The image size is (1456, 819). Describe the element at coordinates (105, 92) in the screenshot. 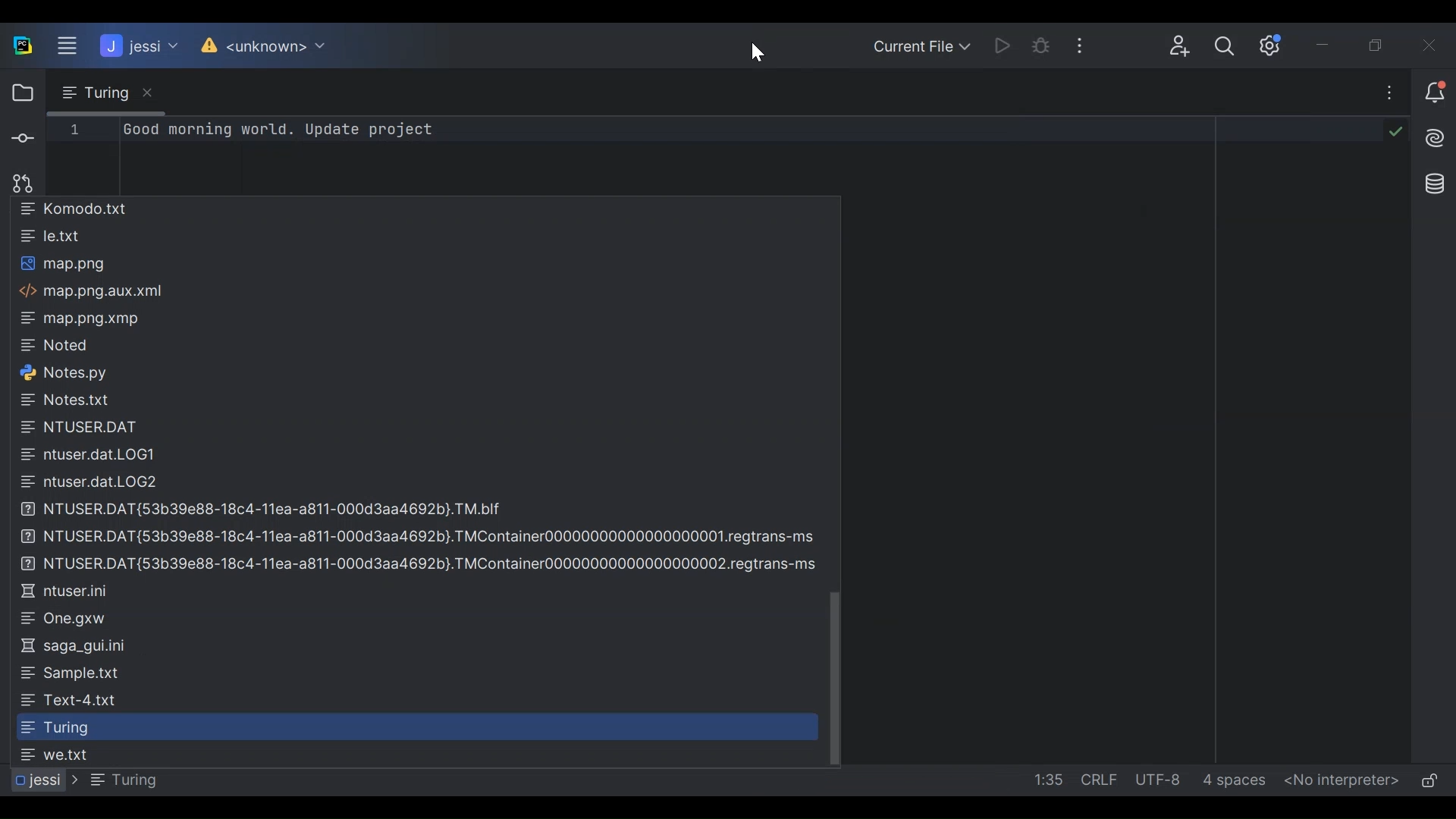

I see `Browse Tab` at that location.